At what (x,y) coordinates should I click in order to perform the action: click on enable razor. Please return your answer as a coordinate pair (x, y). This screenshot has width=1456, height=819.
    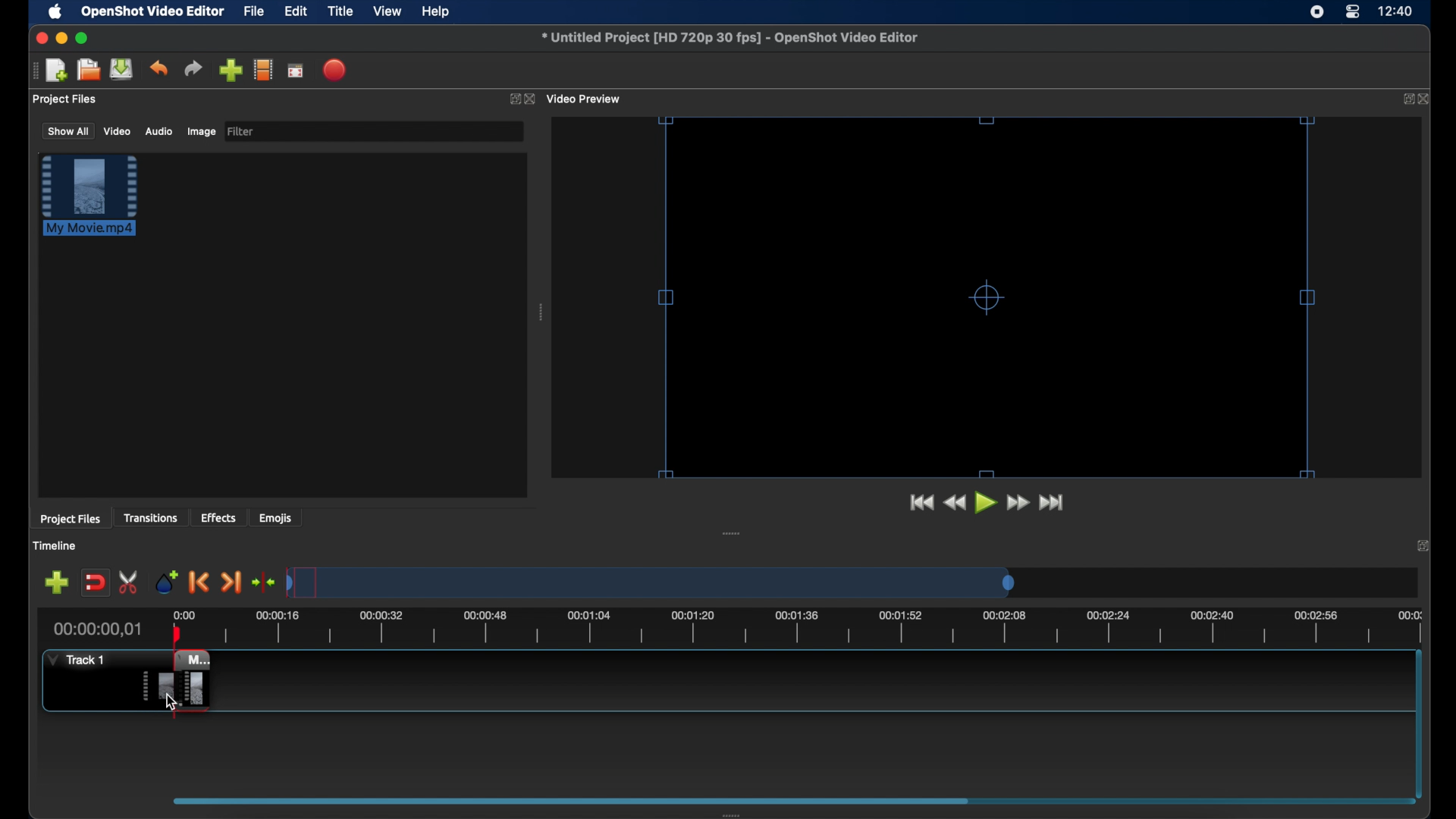
    Looking at the image, I should click on (130, 581).